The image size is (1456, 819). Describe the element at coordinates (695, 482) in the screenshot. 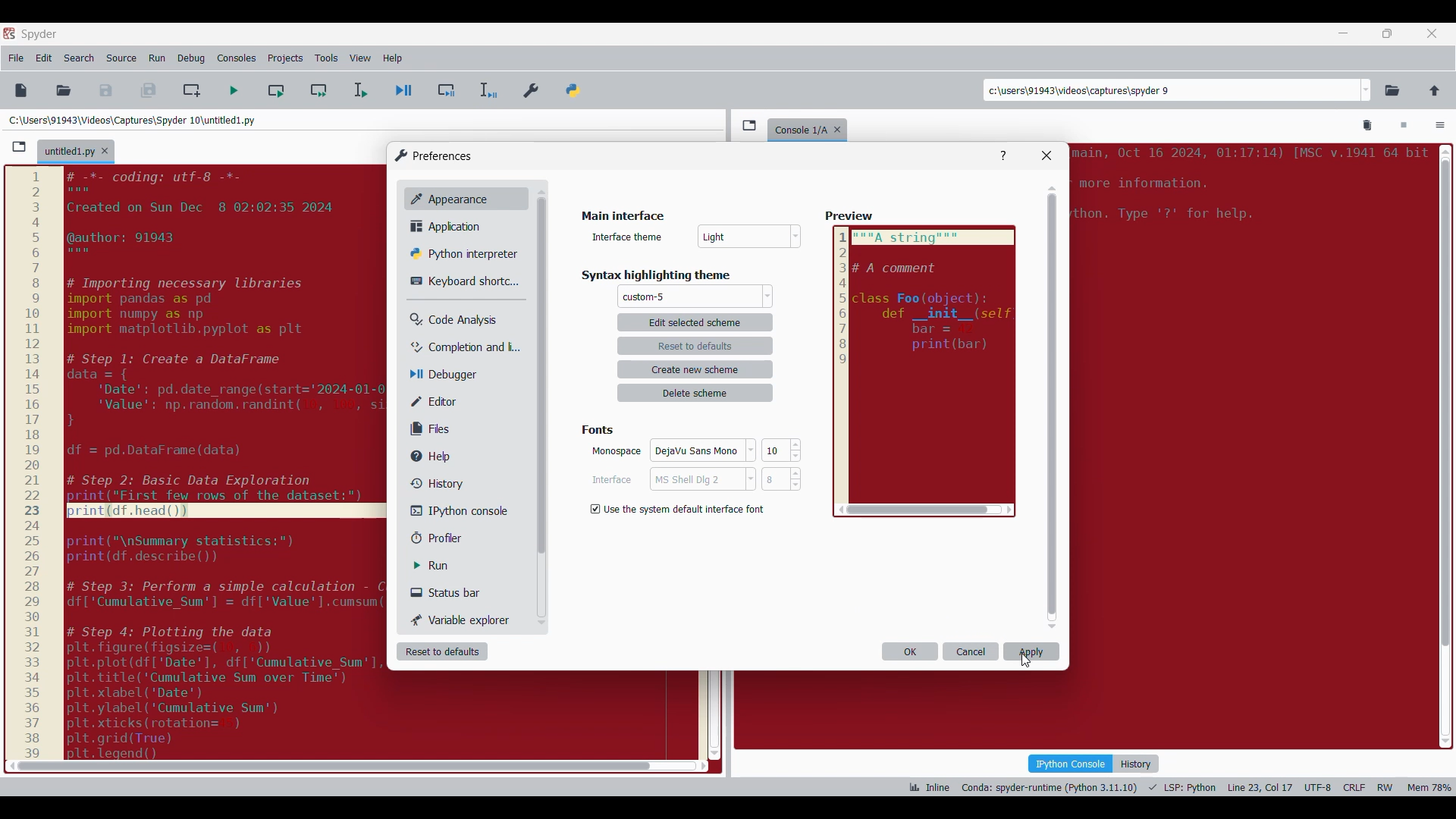

I see `Cancel` at that location.